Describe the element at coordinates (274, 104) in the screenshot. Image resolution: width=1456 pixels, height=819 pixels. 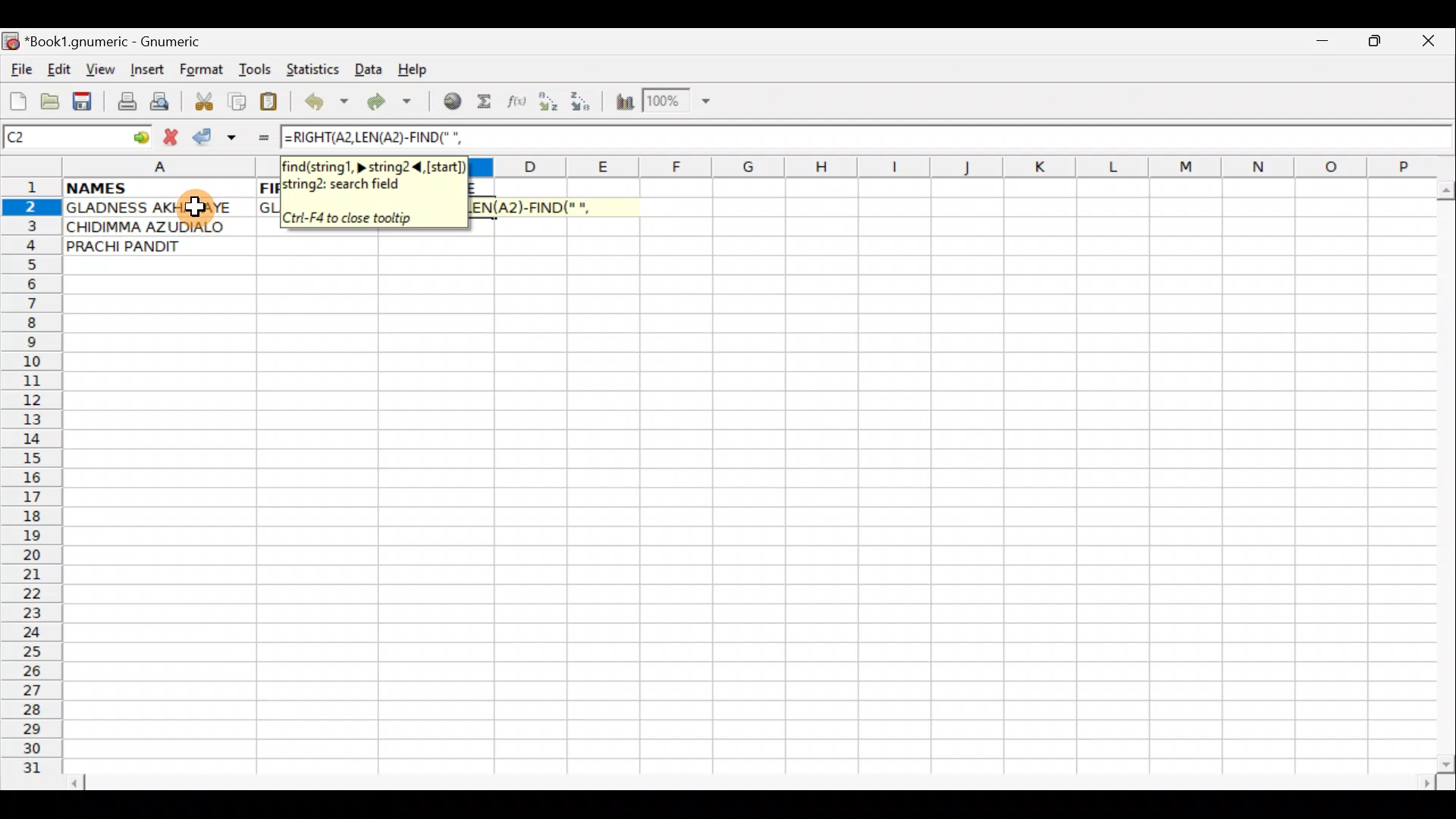
I see `Paste clipboard` at that location.